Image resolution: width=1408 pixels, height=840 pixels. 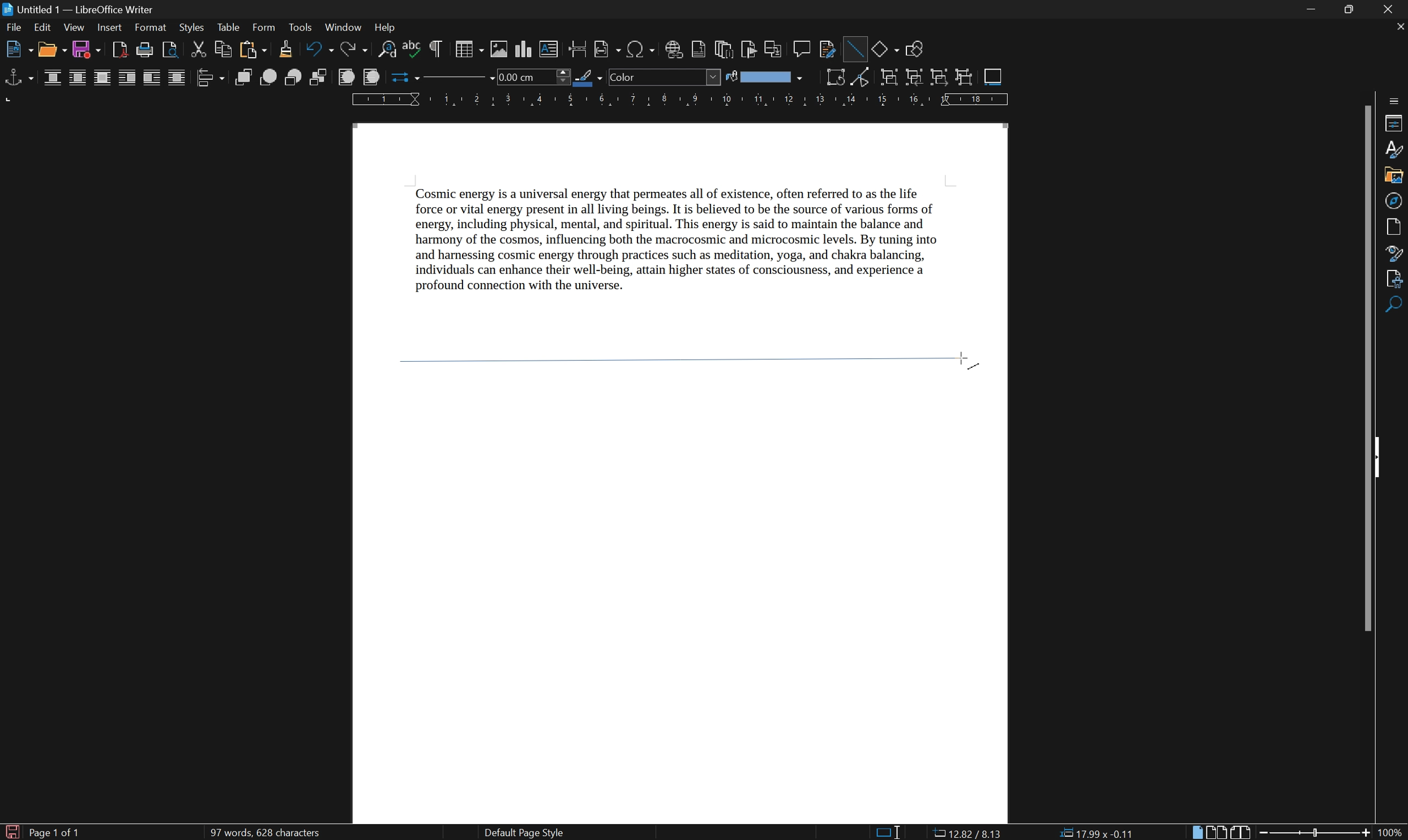 I want to click on redo, so click(x=357, y=50).